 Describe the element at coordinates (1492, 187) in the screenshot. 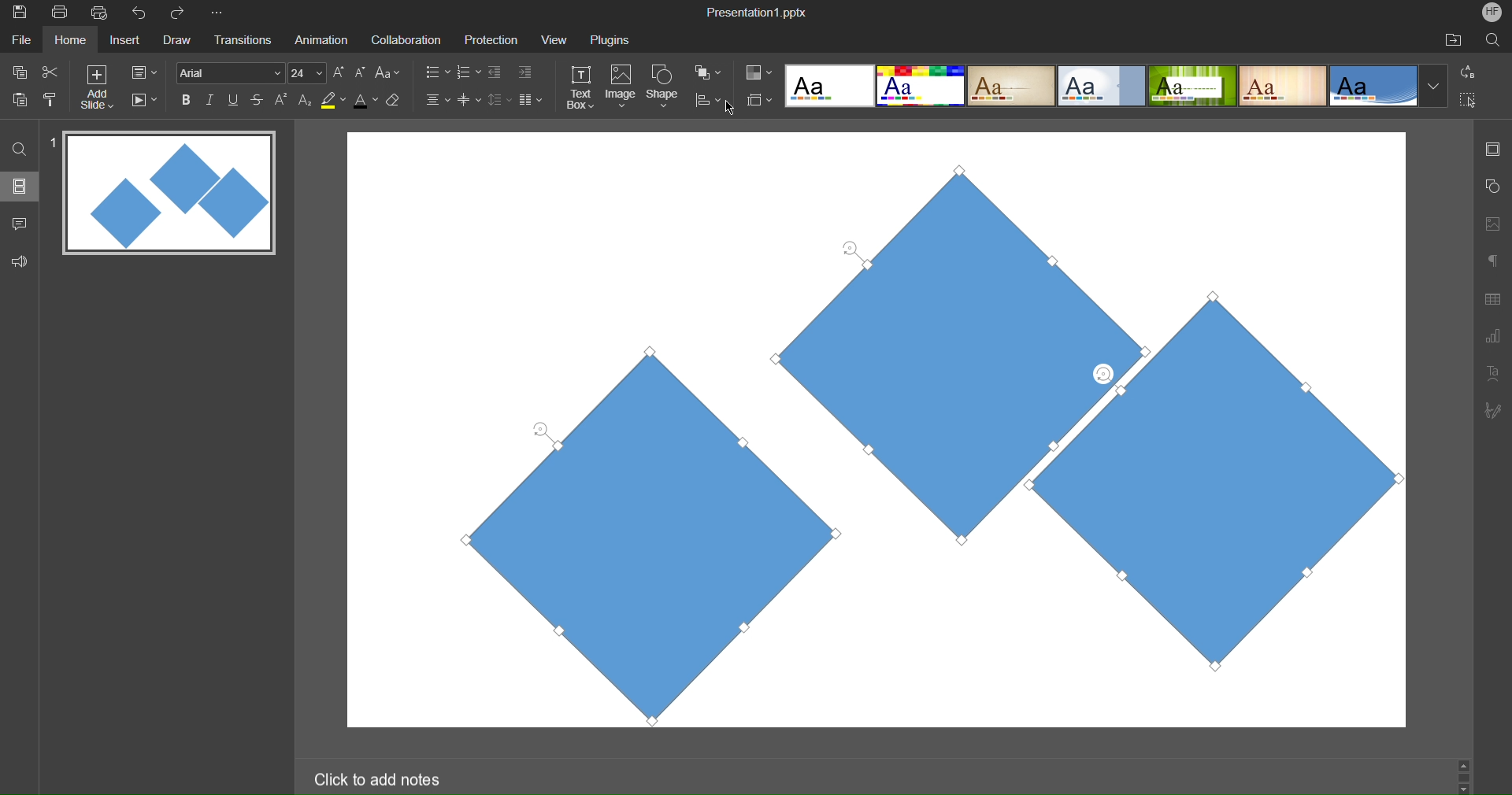

I see `Shape Settings` at that location.